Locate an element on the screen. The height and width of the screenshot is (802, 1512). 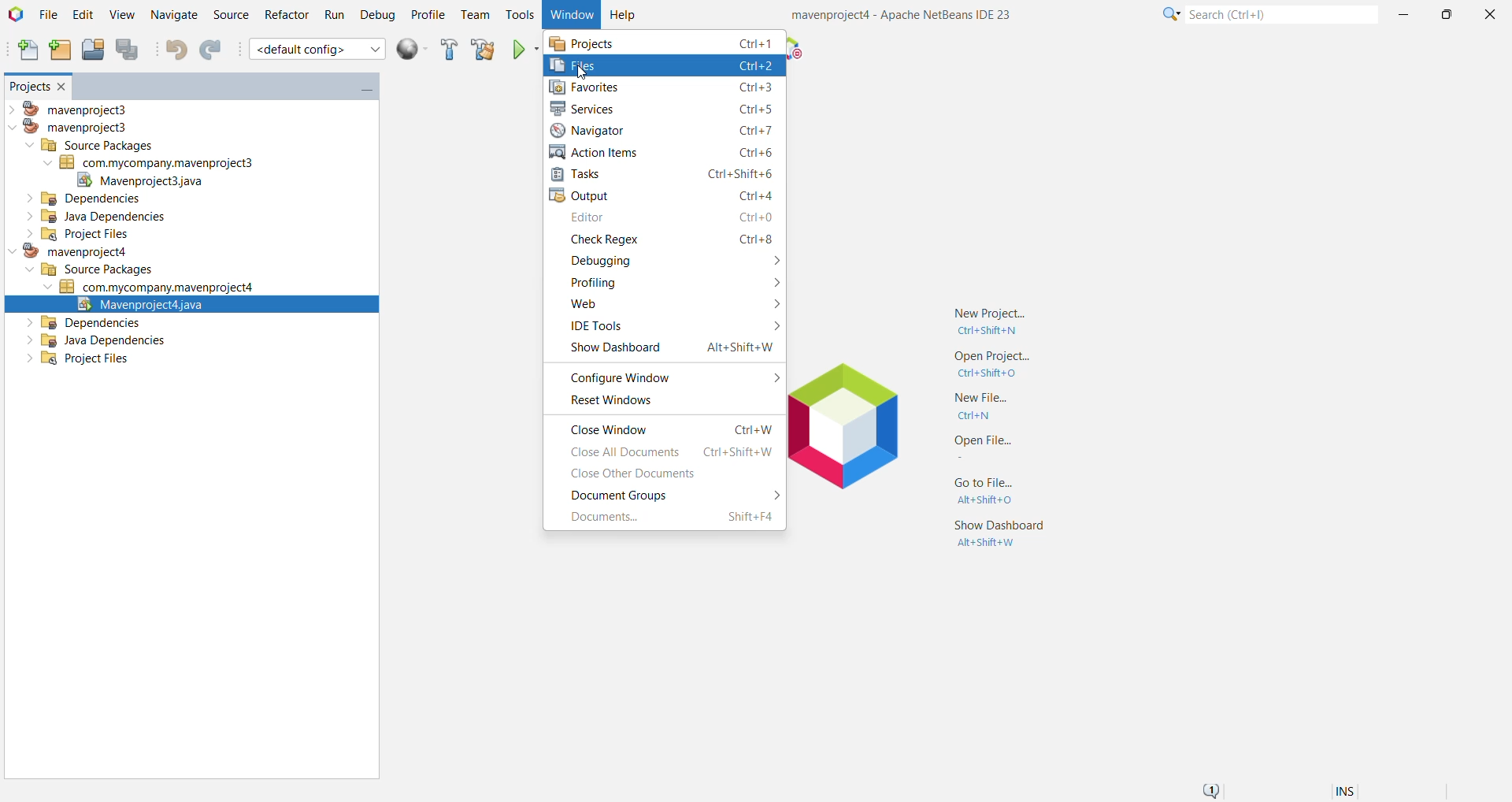
Java Source Package (com.mycompany.mavenproject3) is located at coordinates (162, 162).